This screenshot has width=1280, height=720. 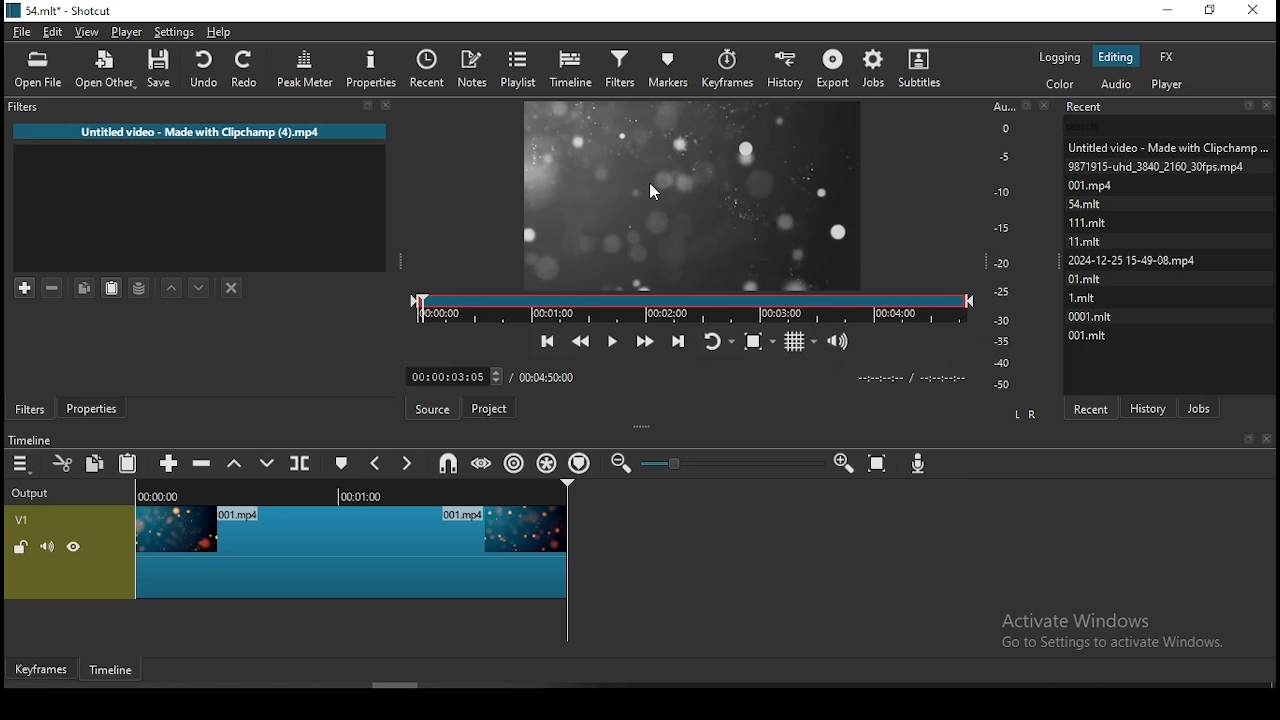 I want to click on cut, so click(x=63, y=462).